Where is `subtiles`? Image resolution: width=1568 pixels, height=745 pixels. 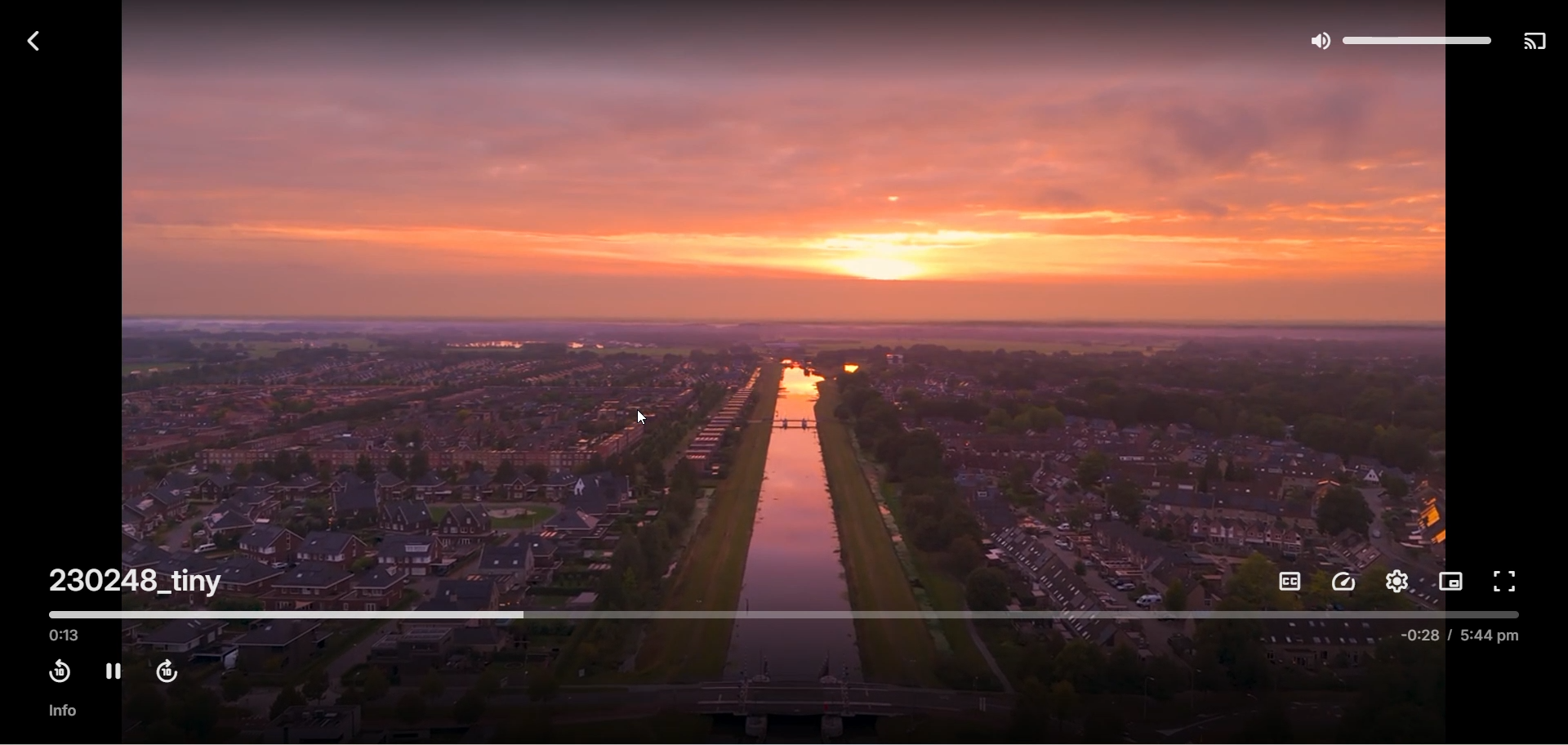
subtiles is located at coordinates (1287, 582).